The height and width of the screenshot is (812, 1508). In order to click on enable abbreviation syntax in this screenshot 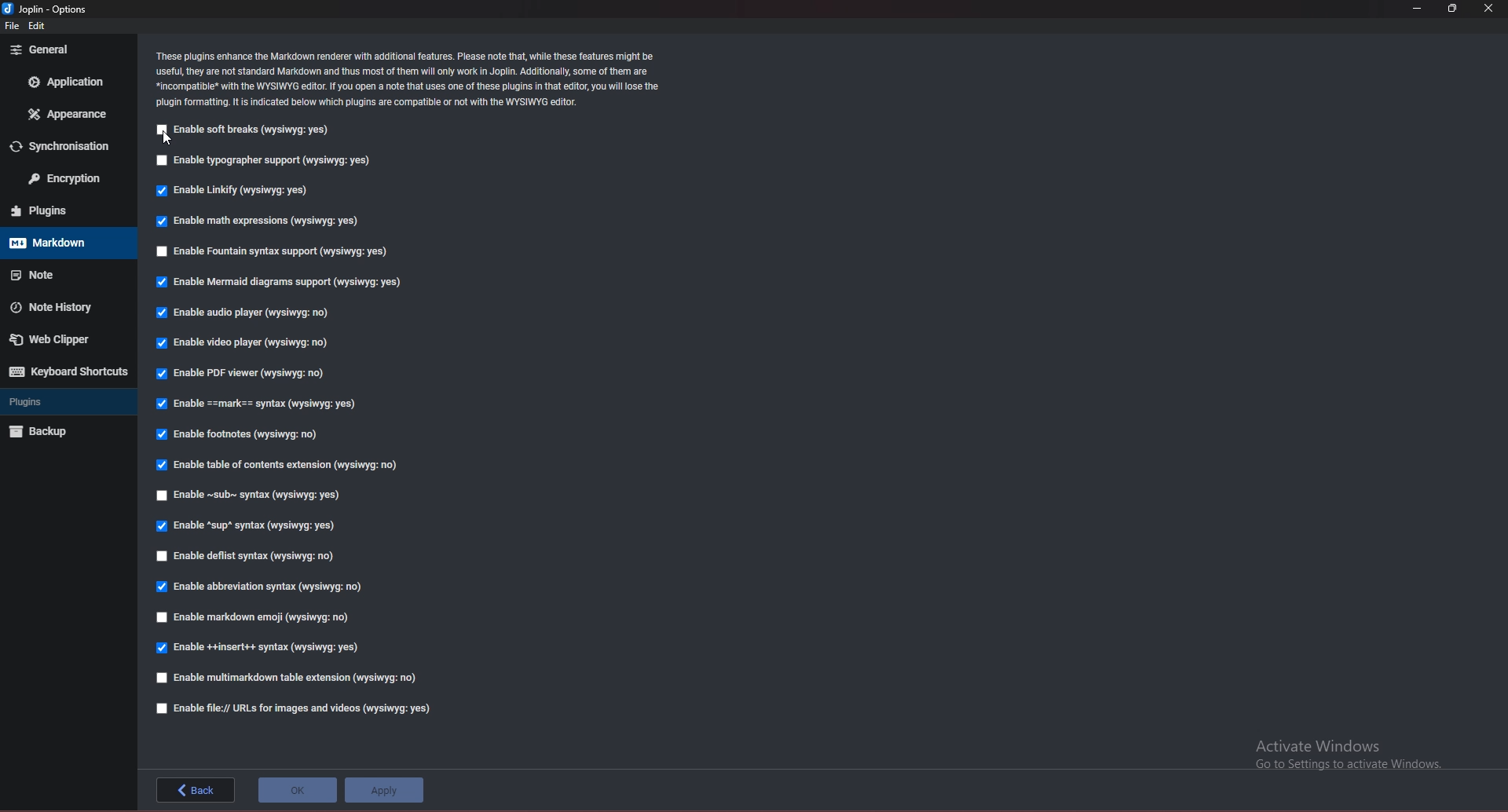, I will do `click(263, 585)`.